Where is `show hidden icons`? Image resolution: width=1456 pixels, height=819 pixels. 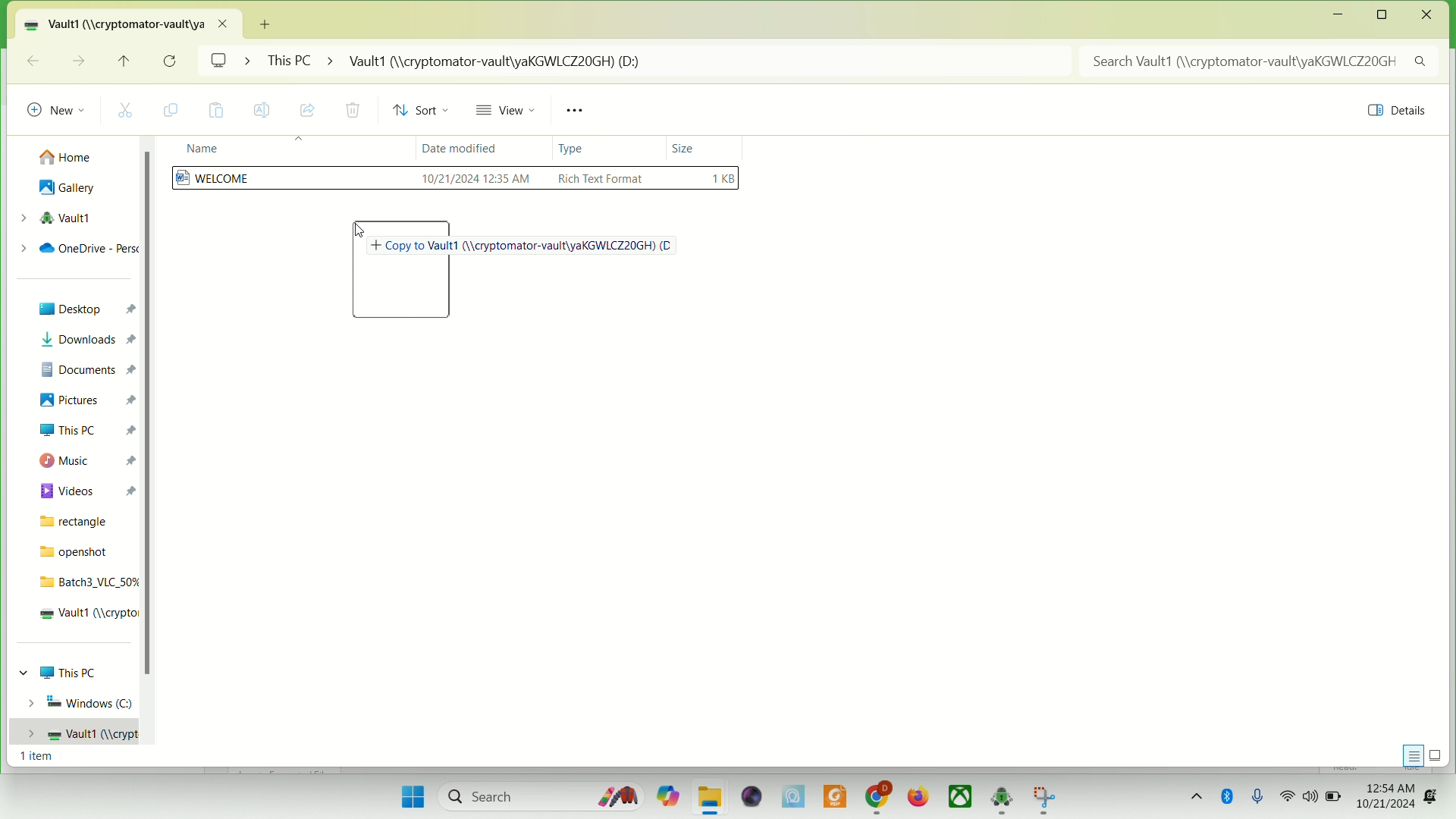
show hidden icons is located at coordinates (1197, 794).